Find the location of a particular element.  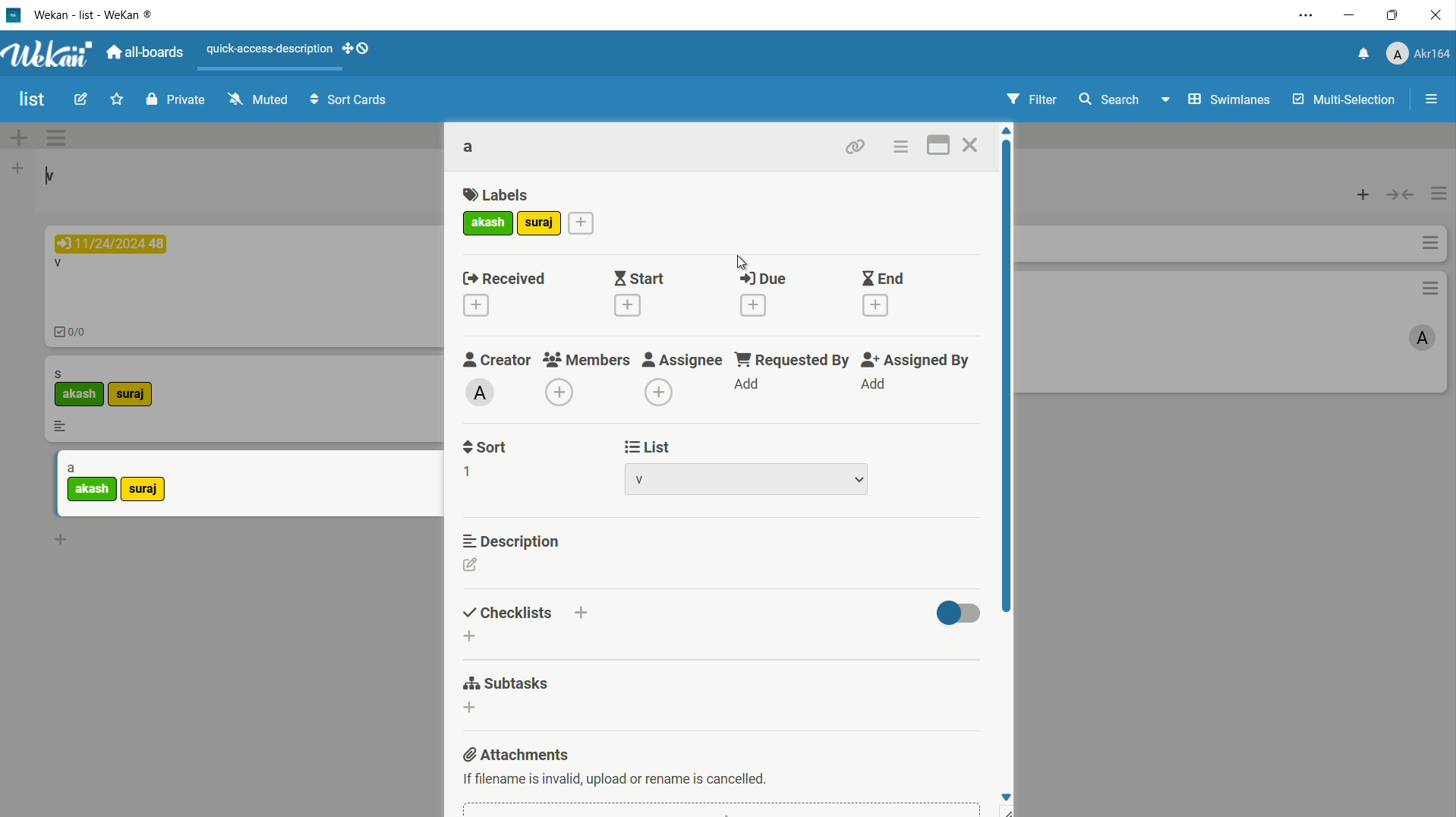

show-desktop-drag-handles is located at coordinates (360, 49).